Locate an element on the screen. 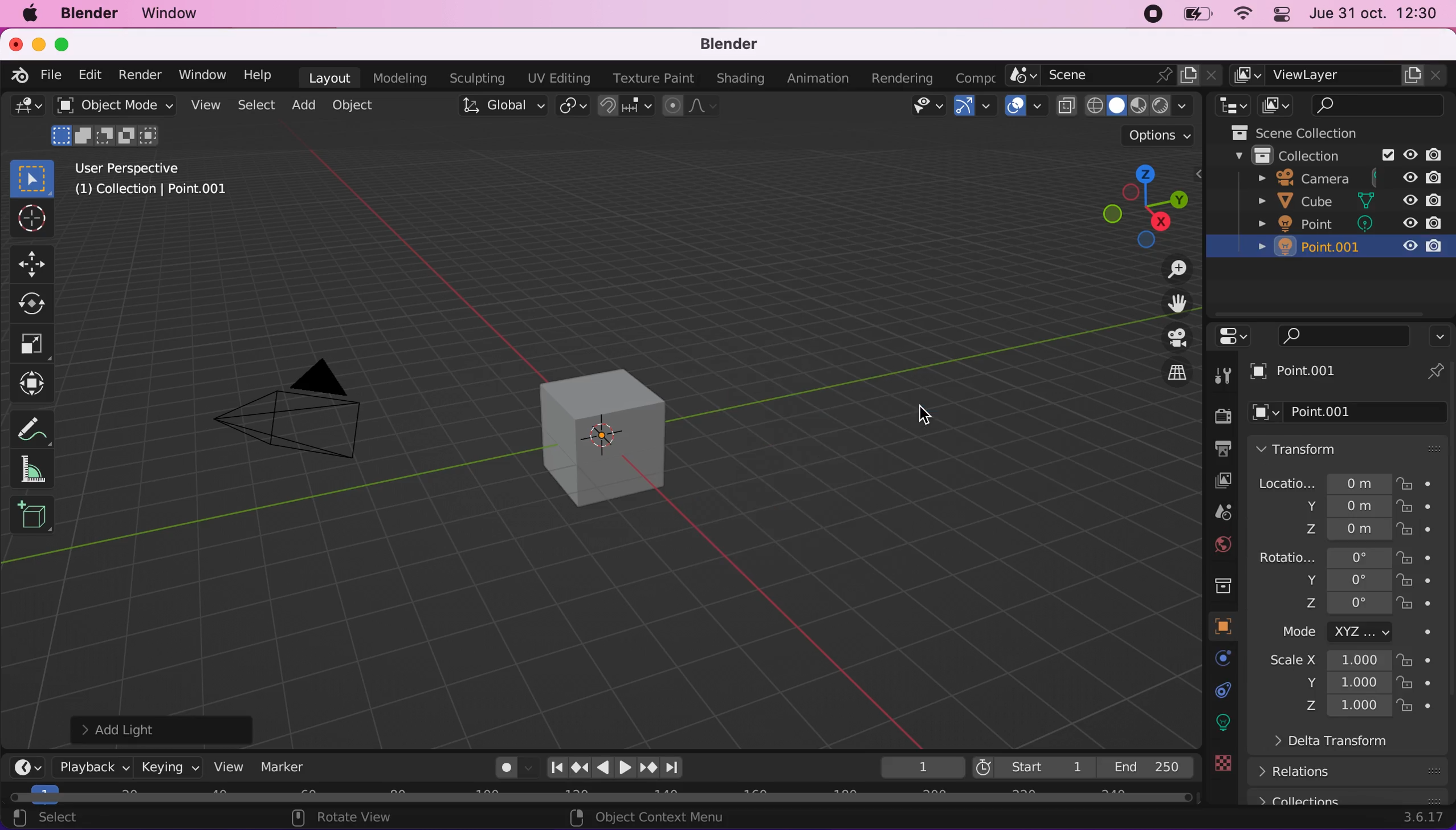  lock is located at coordinates (1424, 508).